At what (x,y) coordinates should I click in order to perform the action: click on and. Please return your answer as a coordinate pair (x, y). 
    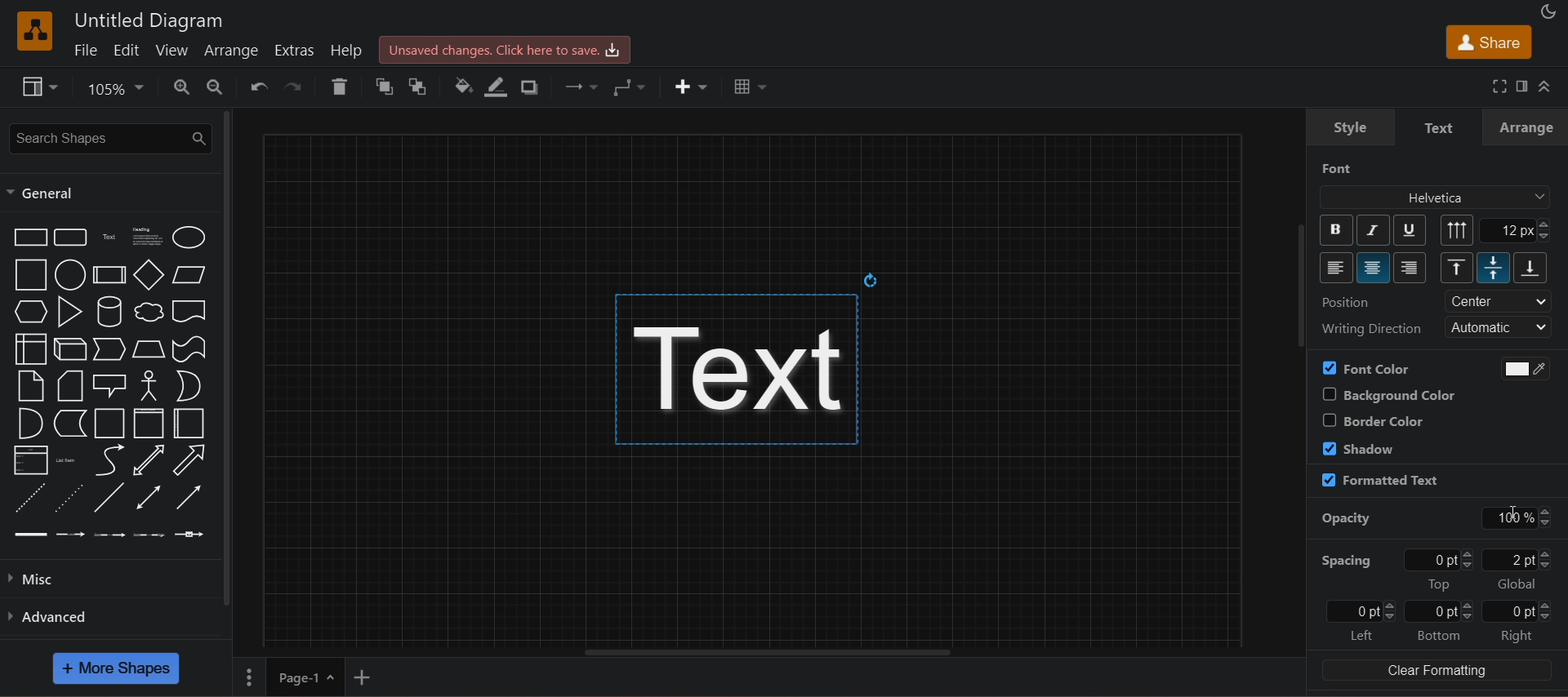
    Looking at the image, I should click on (31, 423).